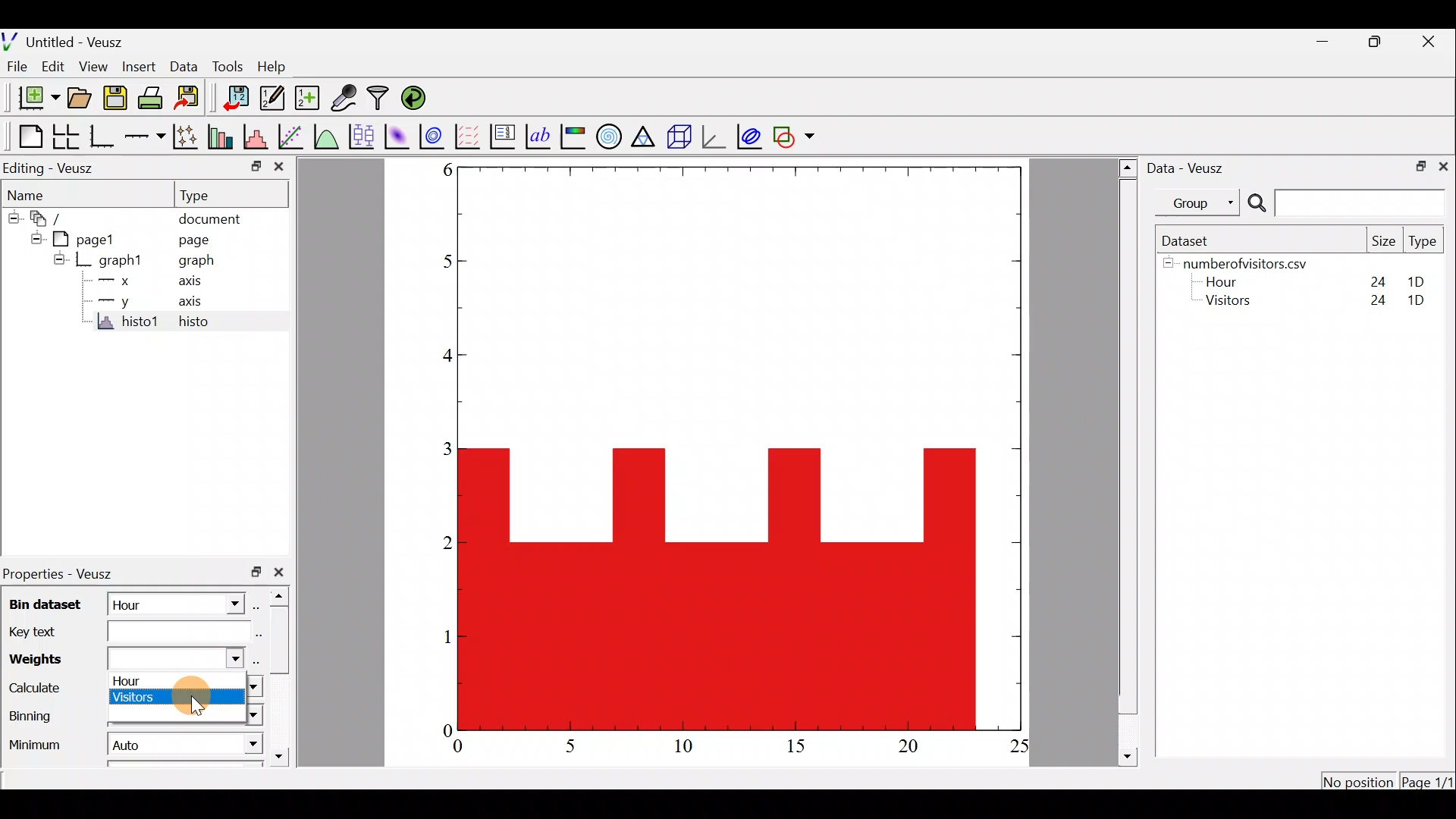 Image resolution: width=1456 pixels, height=819 pixels. Describe the element at coordinates (123, 324) in the screenshot. I see `histo1` at that location.